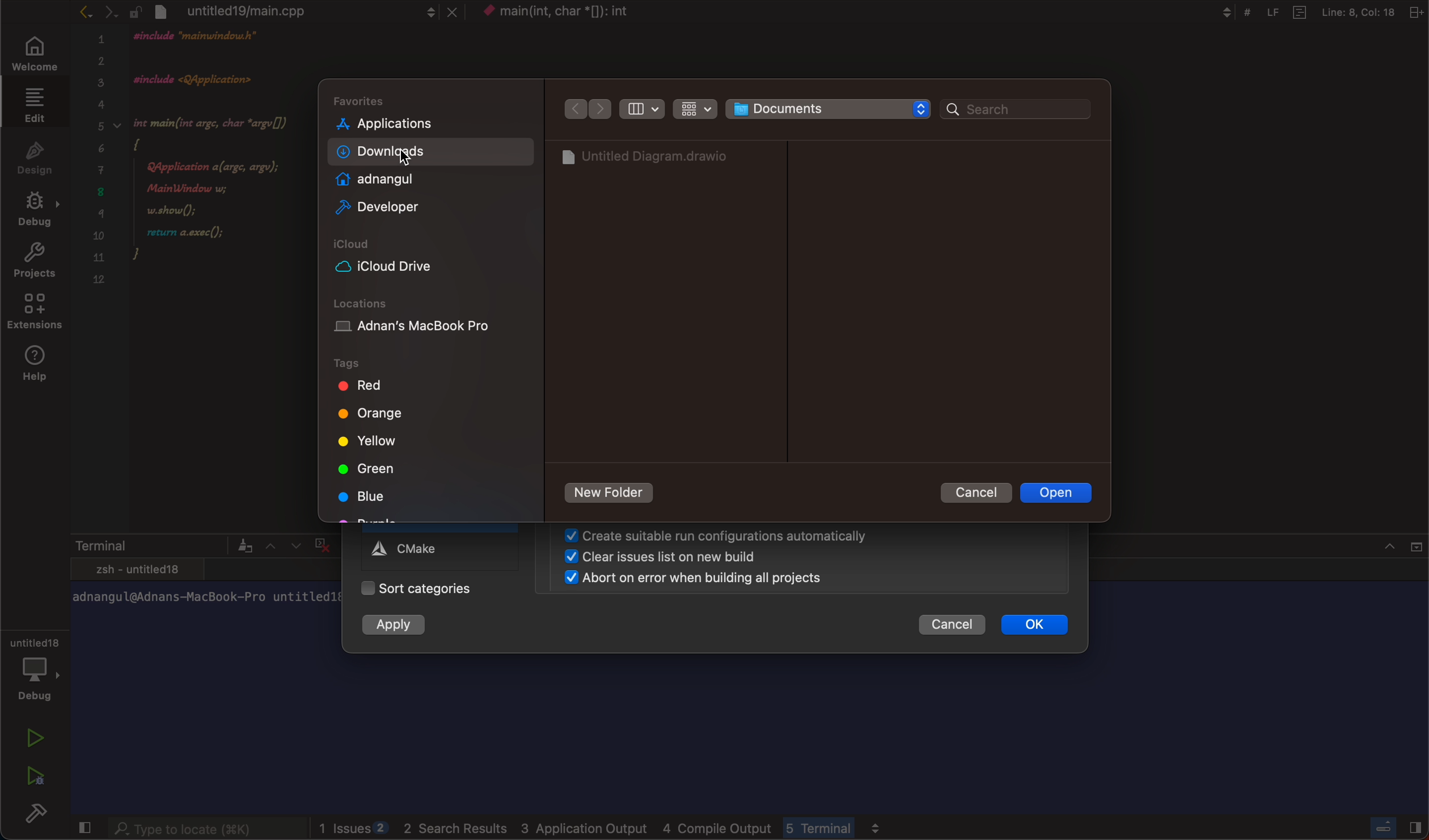 The height and width of the screenshot is (840, 1429). I want to click on arrows, so click(91, 14).